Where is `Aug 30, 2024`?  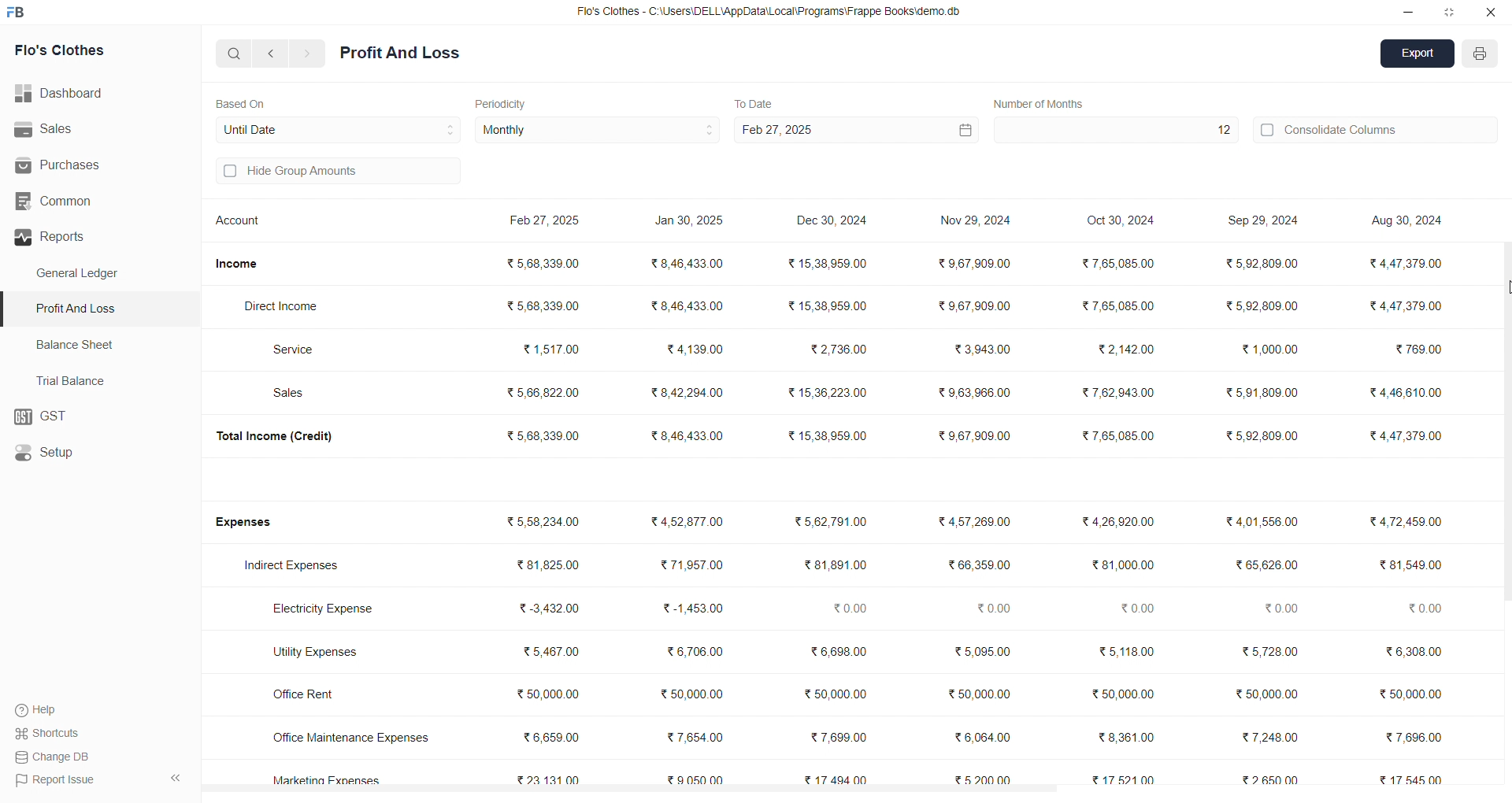 Aug 30, 2024 is located at coordinates (1404, 220).